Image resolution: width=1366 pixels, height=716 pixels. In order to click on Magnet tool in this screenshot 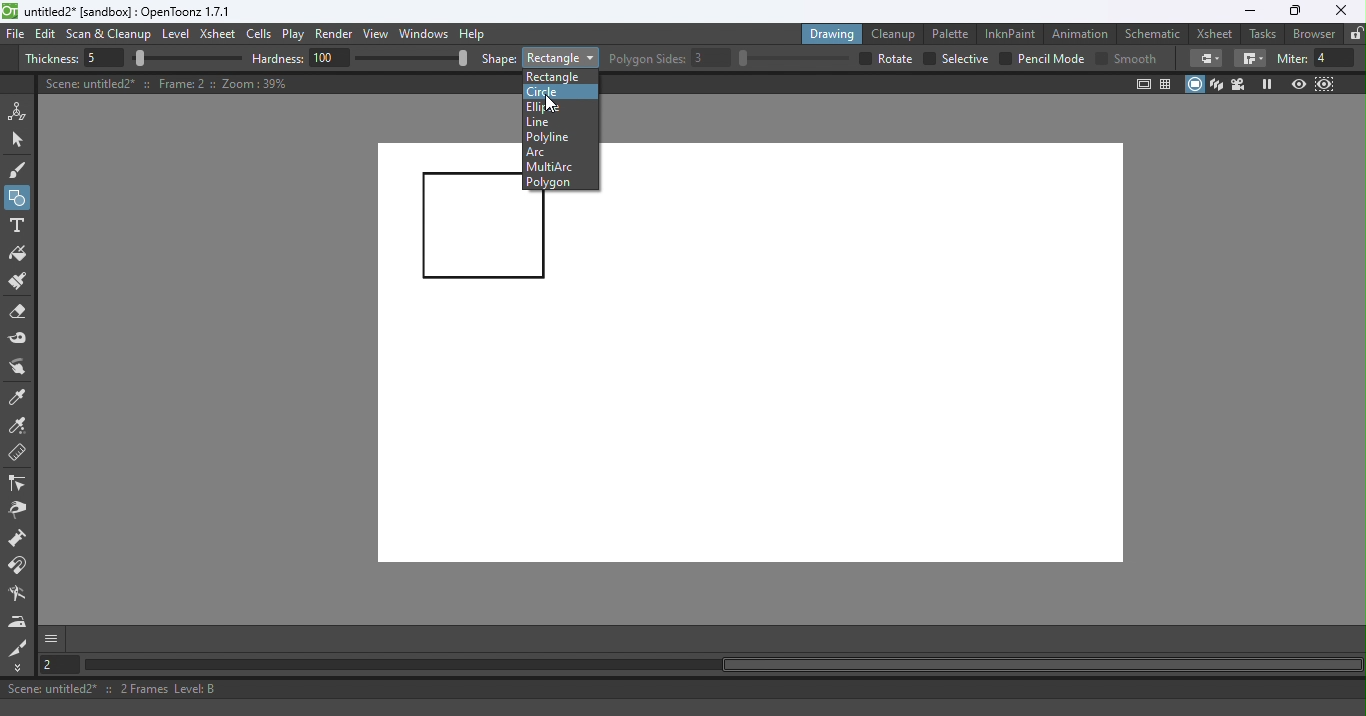, I will do `click(19, 540)`.